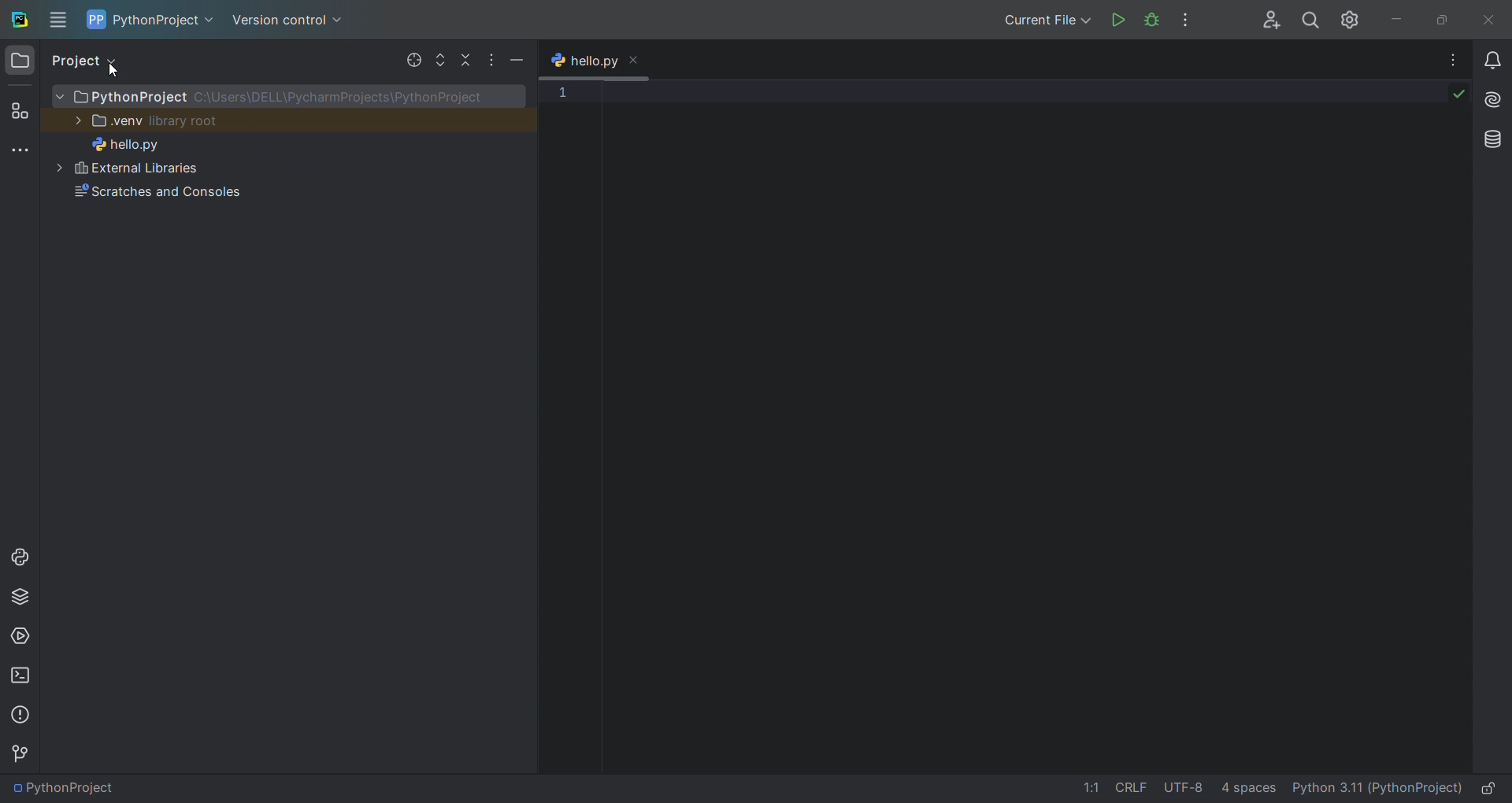  Describe the element at coordinates (22, 753) in the screenshot. I see `version control` at that location.